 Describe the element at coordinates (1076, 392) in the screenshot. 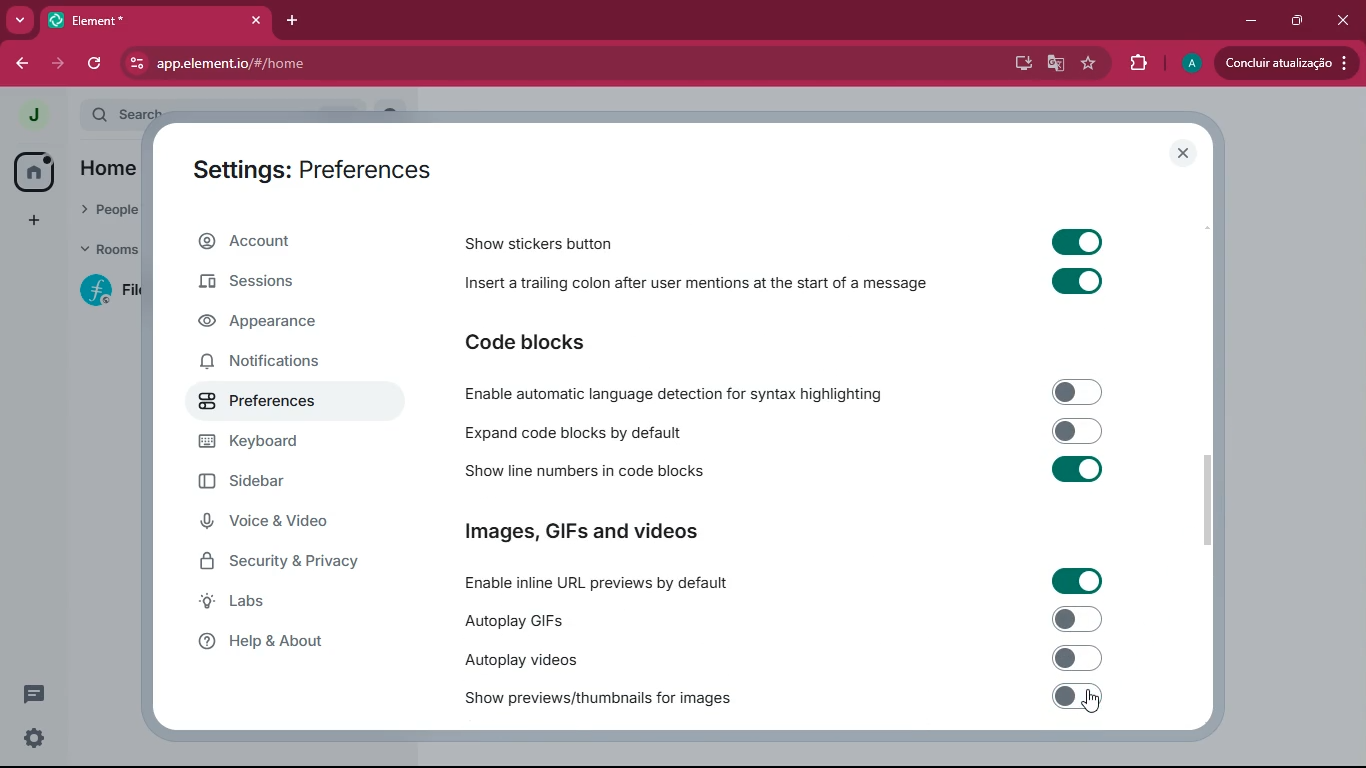

I see `Toggle off` at that location.